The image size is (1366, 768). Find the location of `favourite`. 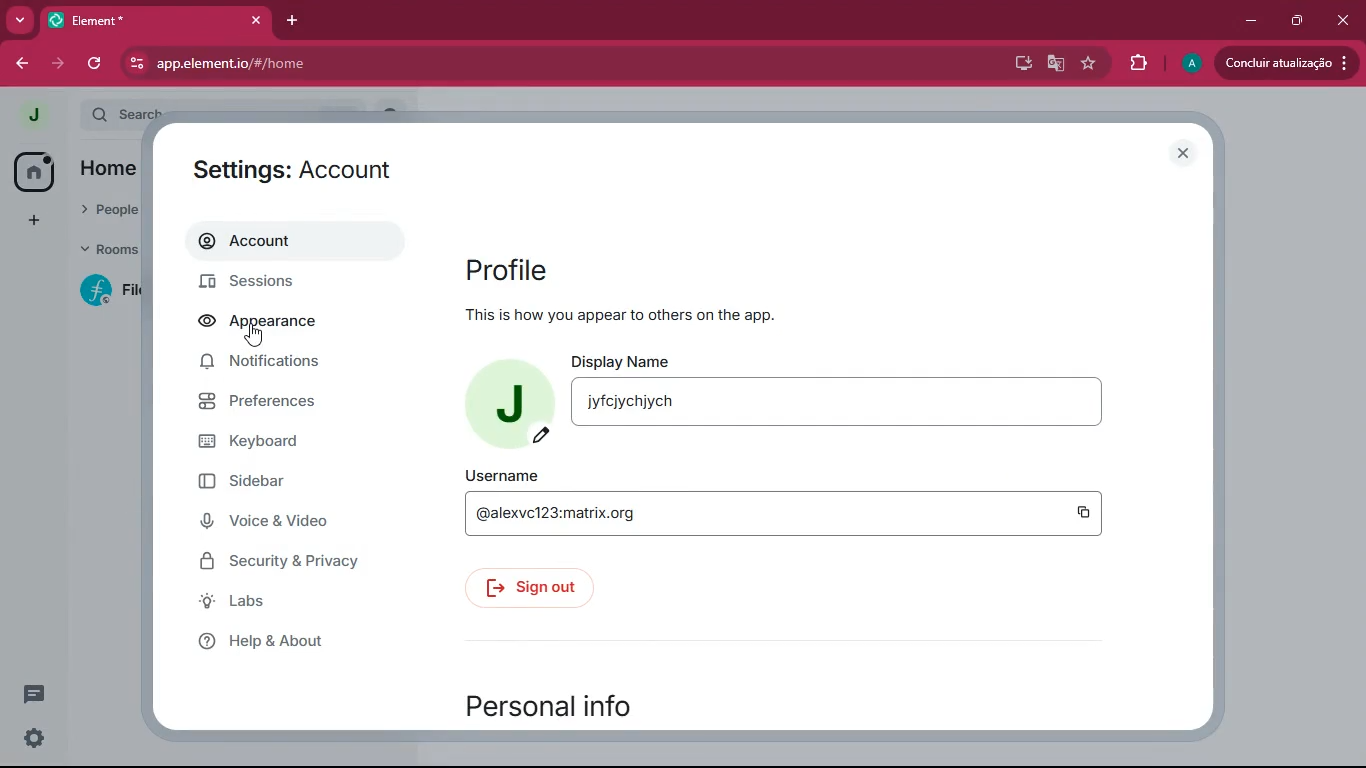

favourite is located at coordinates (1087, 65).